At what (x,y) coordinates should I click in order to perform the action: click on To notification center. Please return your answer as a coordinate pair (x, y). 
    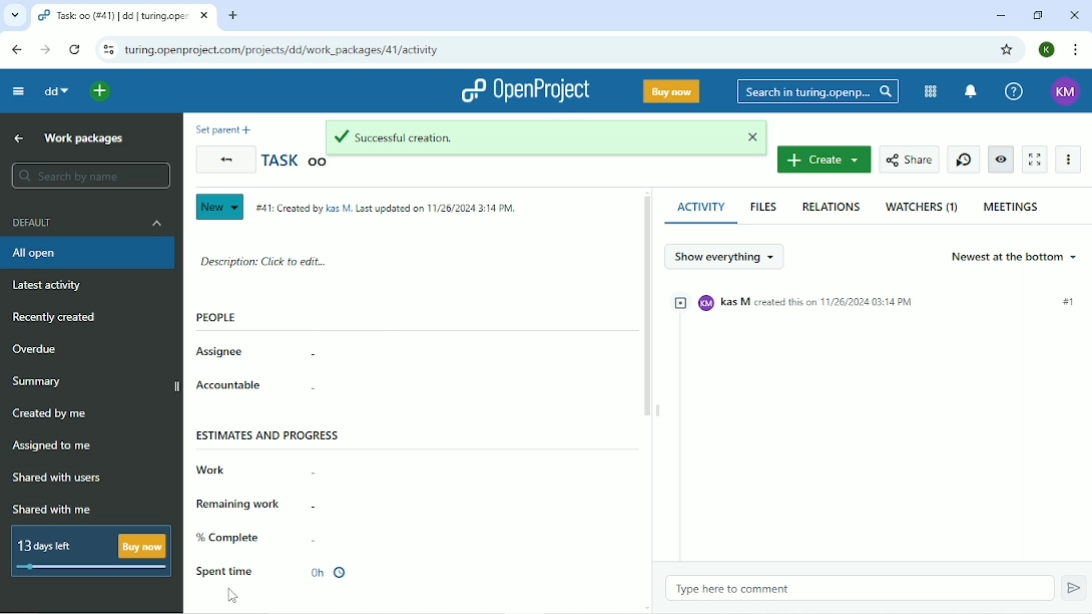
    Looking at the image, I should click on (971, 92).